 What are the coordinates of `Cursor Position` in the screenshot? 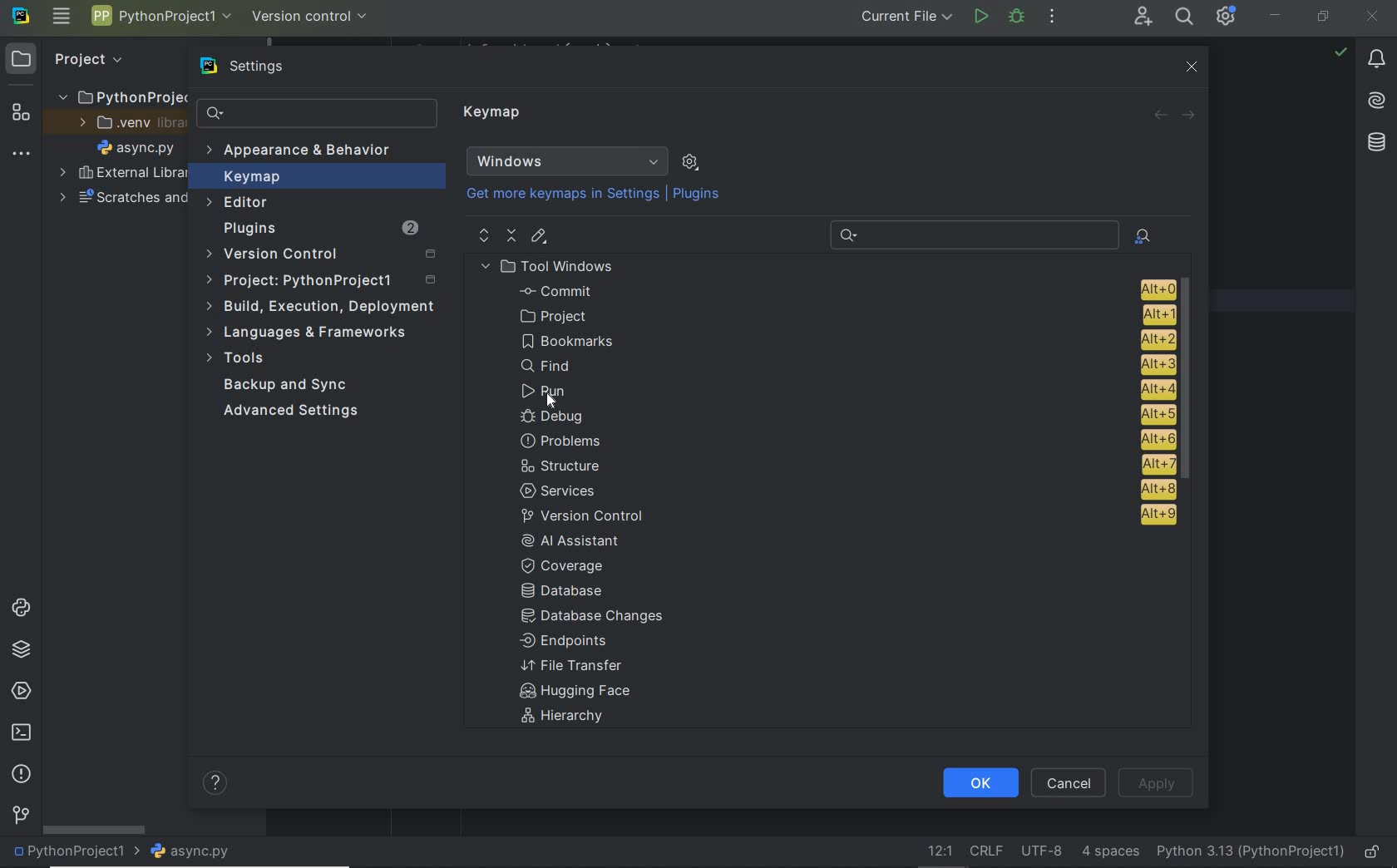 It's located at (558, 400).